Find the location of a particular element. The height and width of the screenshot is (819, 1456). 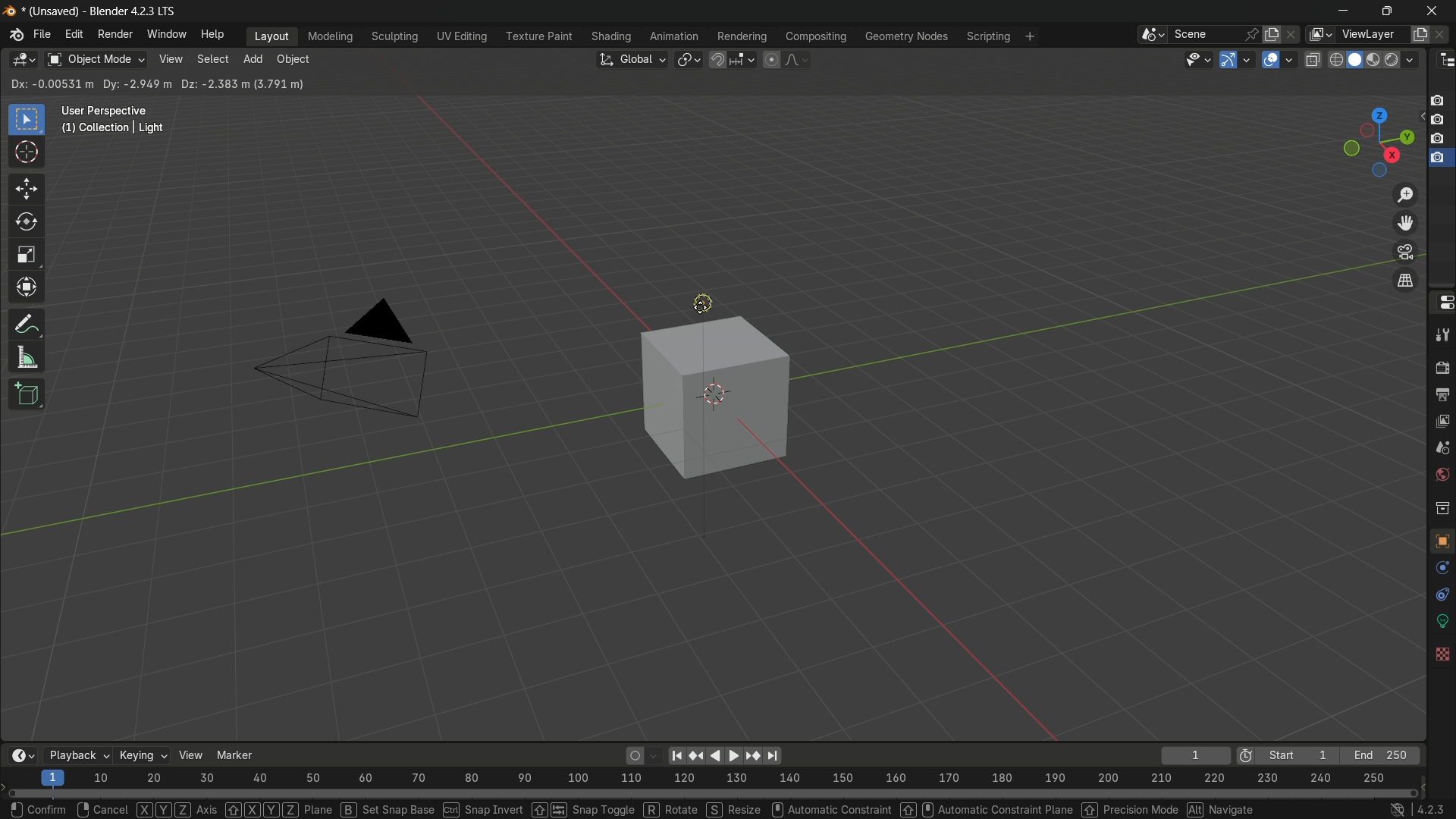

shading menu is located at coordinates (613, 36).